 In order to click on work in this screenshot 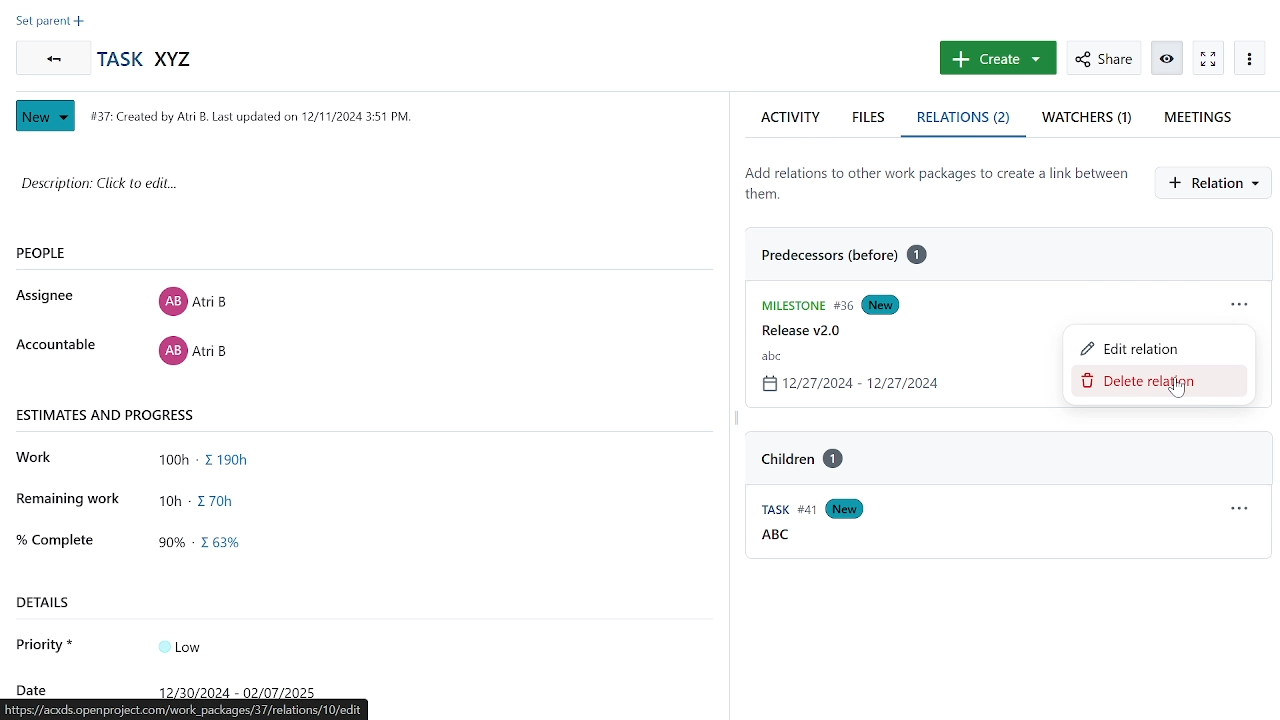, I will do `click(40, 458)`.